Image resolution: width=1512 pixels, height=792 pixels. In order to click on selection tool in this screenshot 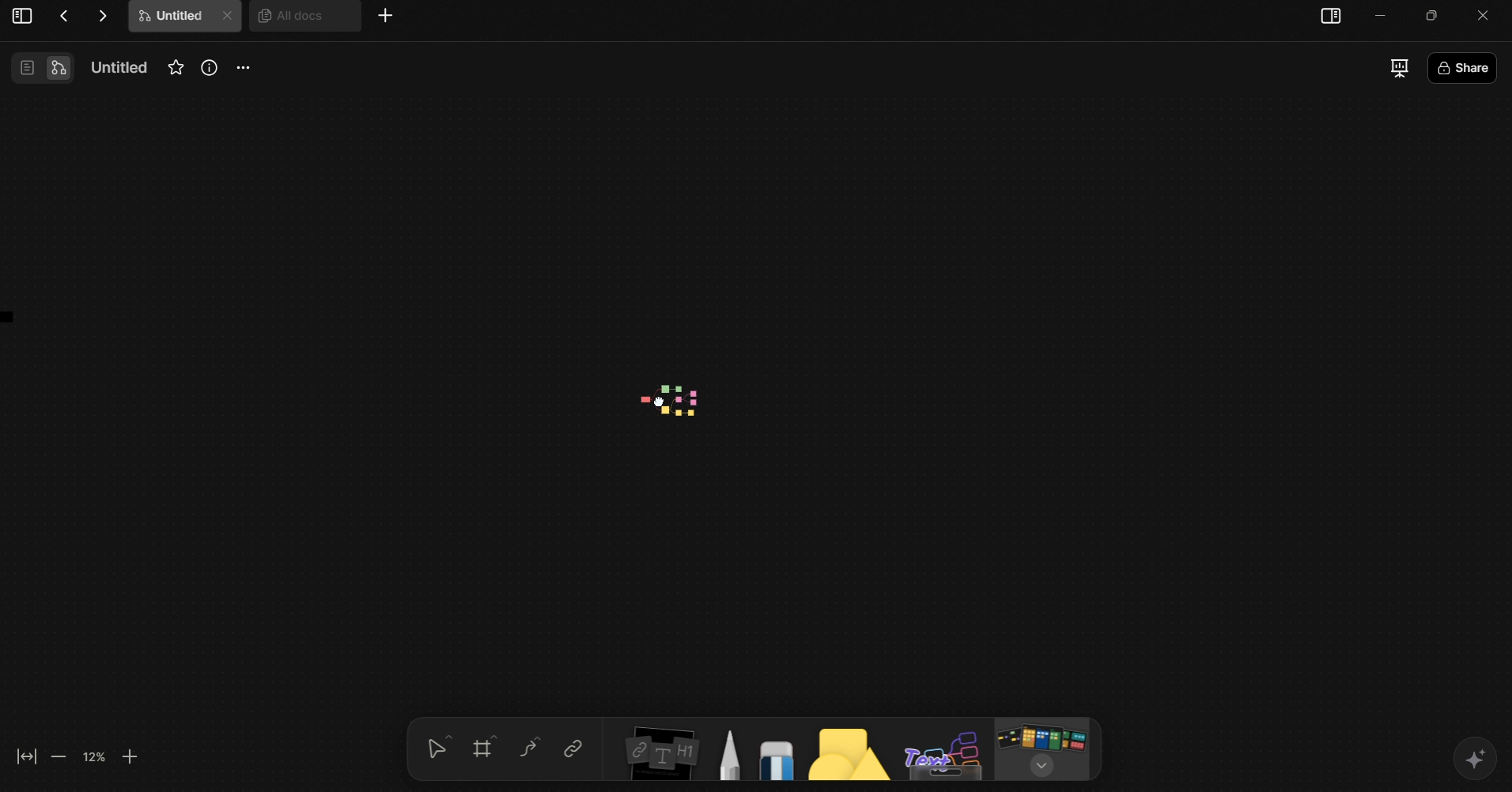, I will do `click(437, 748)`.